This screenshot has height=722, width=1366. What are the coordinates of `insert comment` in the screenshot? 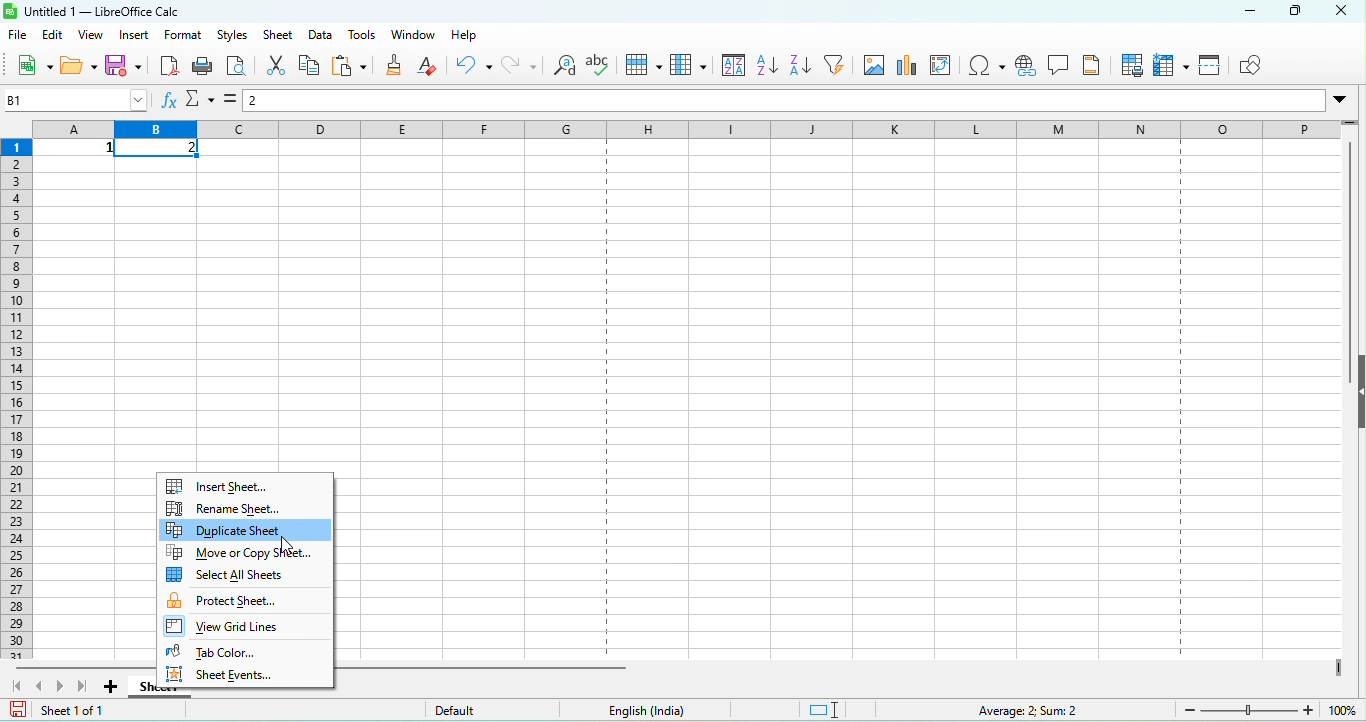 It's located at (1063, 68).